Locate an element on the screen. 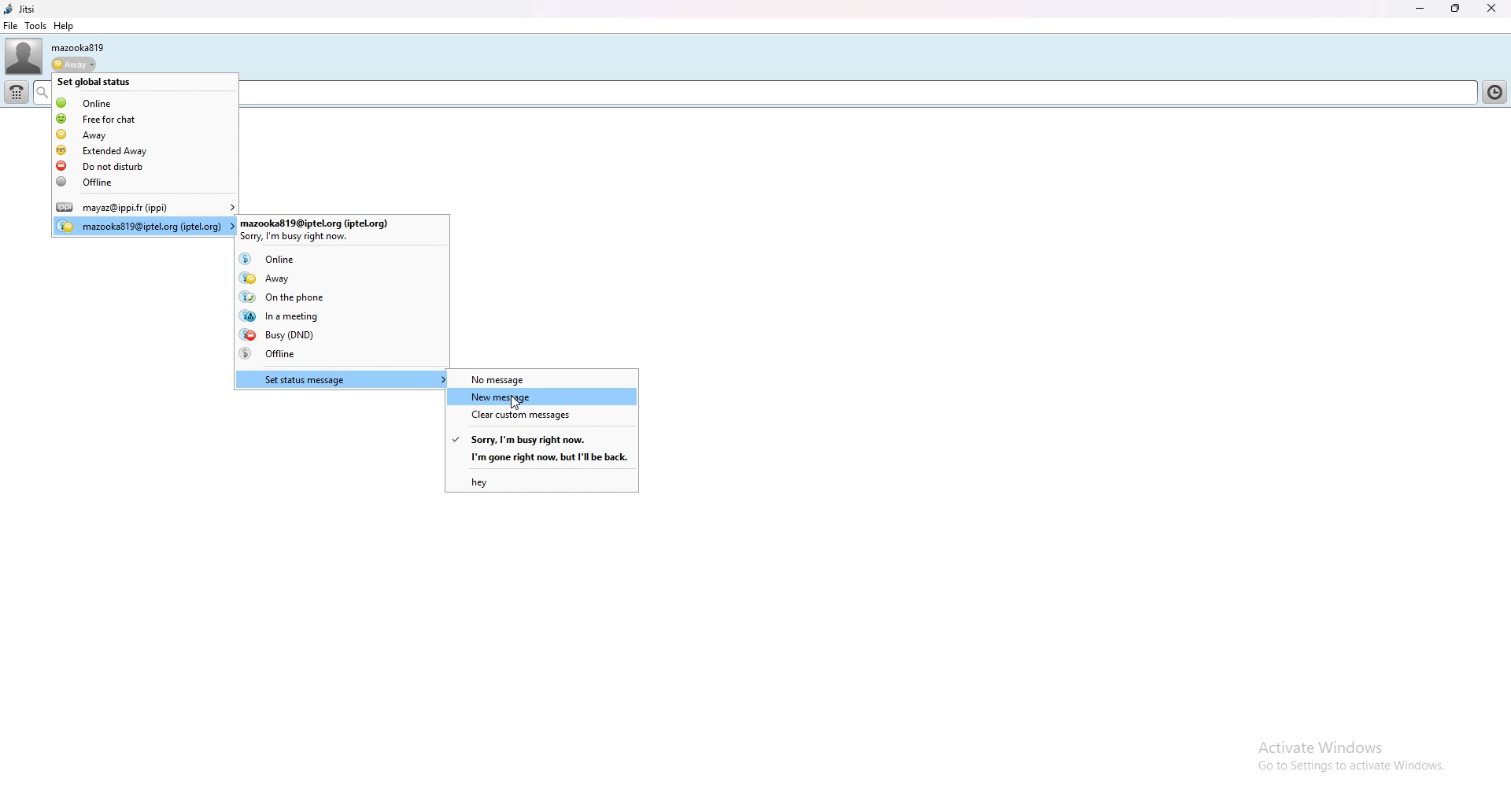 The width and height of the screenshot is (1511, 812). user photo is located at coordinates (24, 57).